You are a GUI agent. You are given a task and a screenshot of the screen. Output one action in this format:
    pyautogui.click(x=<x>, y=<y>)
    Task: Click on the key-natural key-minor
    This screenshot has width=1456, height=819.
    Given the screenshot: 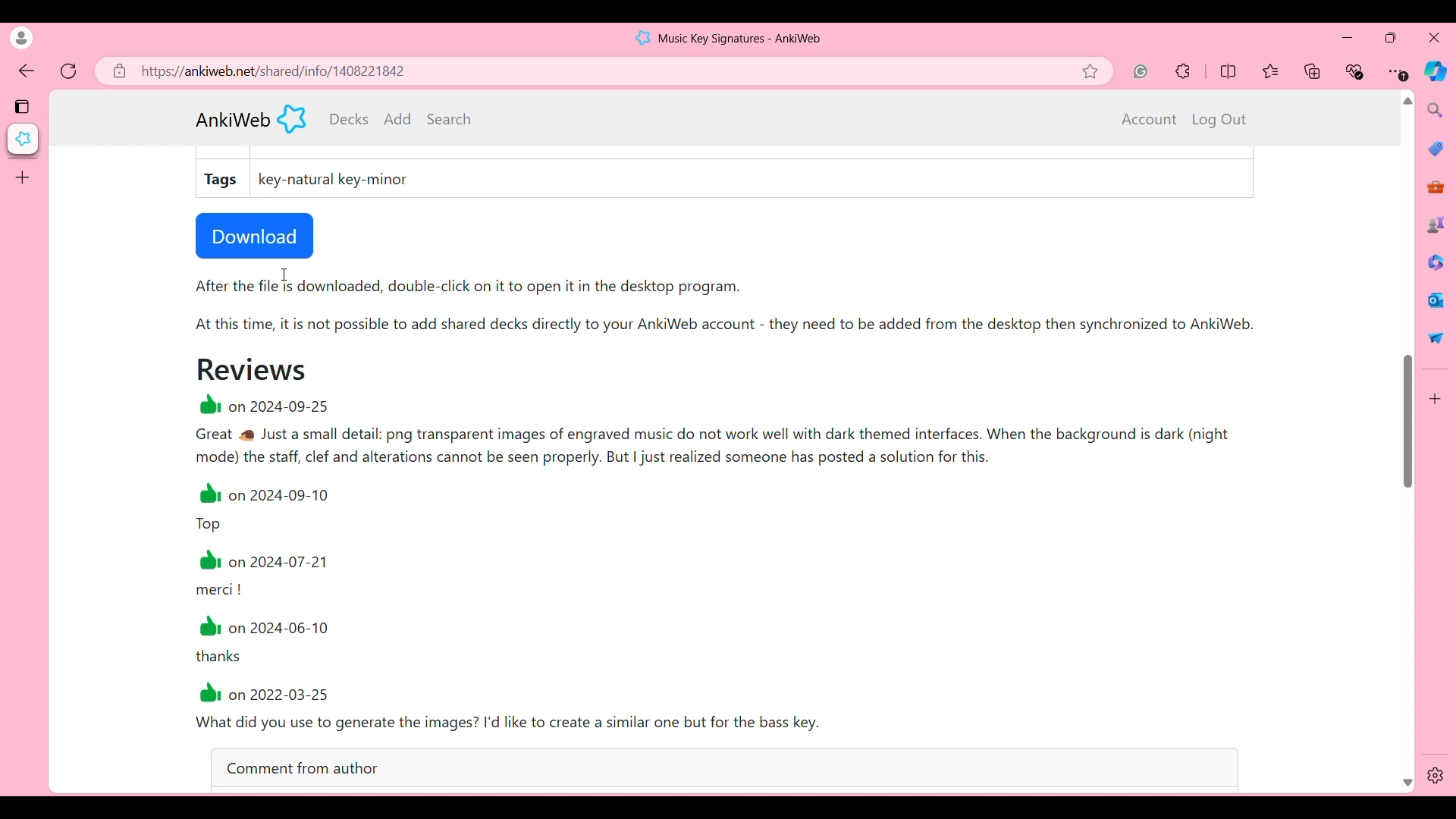 What is the action you would take?
    pyautogui.click(x=337, y=180)
    